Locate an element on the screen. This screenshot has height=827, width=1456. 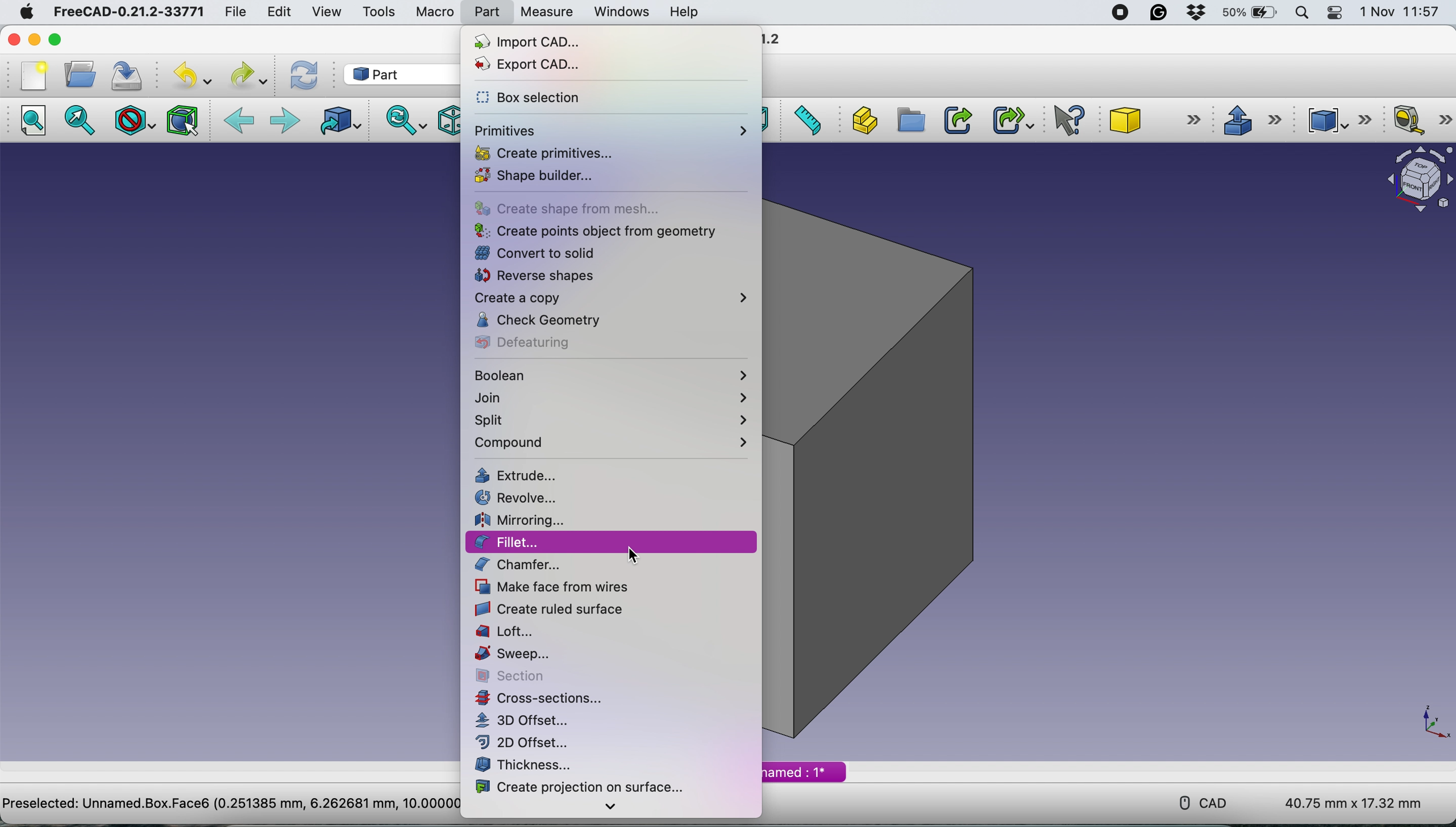
view is located at coordinates (327, 12).